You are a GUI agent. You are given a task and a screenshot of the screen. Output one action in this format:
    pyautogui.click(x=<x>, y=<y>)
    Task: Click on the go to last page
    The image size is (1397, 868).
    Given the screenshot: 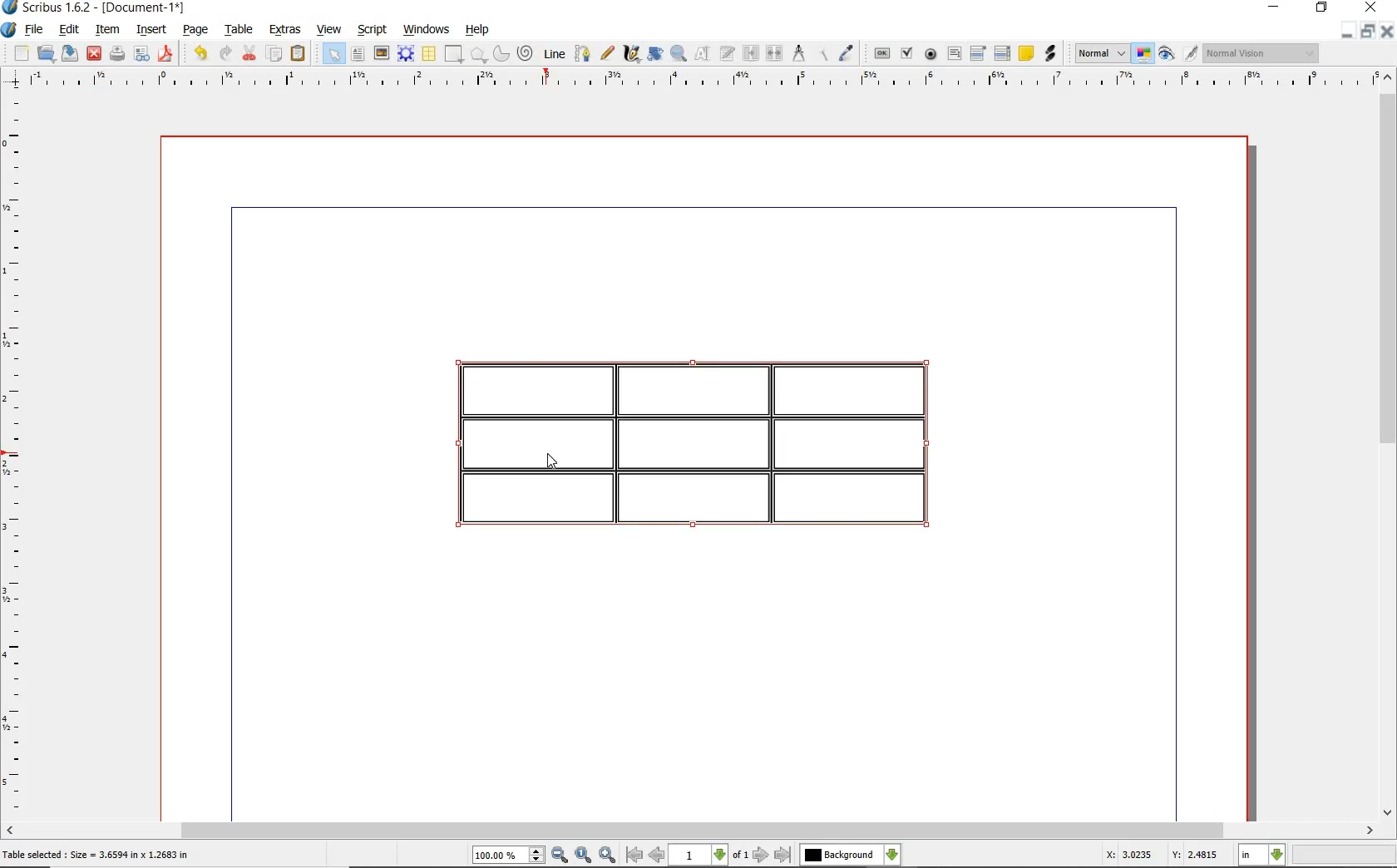 What is the action you would take?
    pyautogui.click(x=784, y=854)
    